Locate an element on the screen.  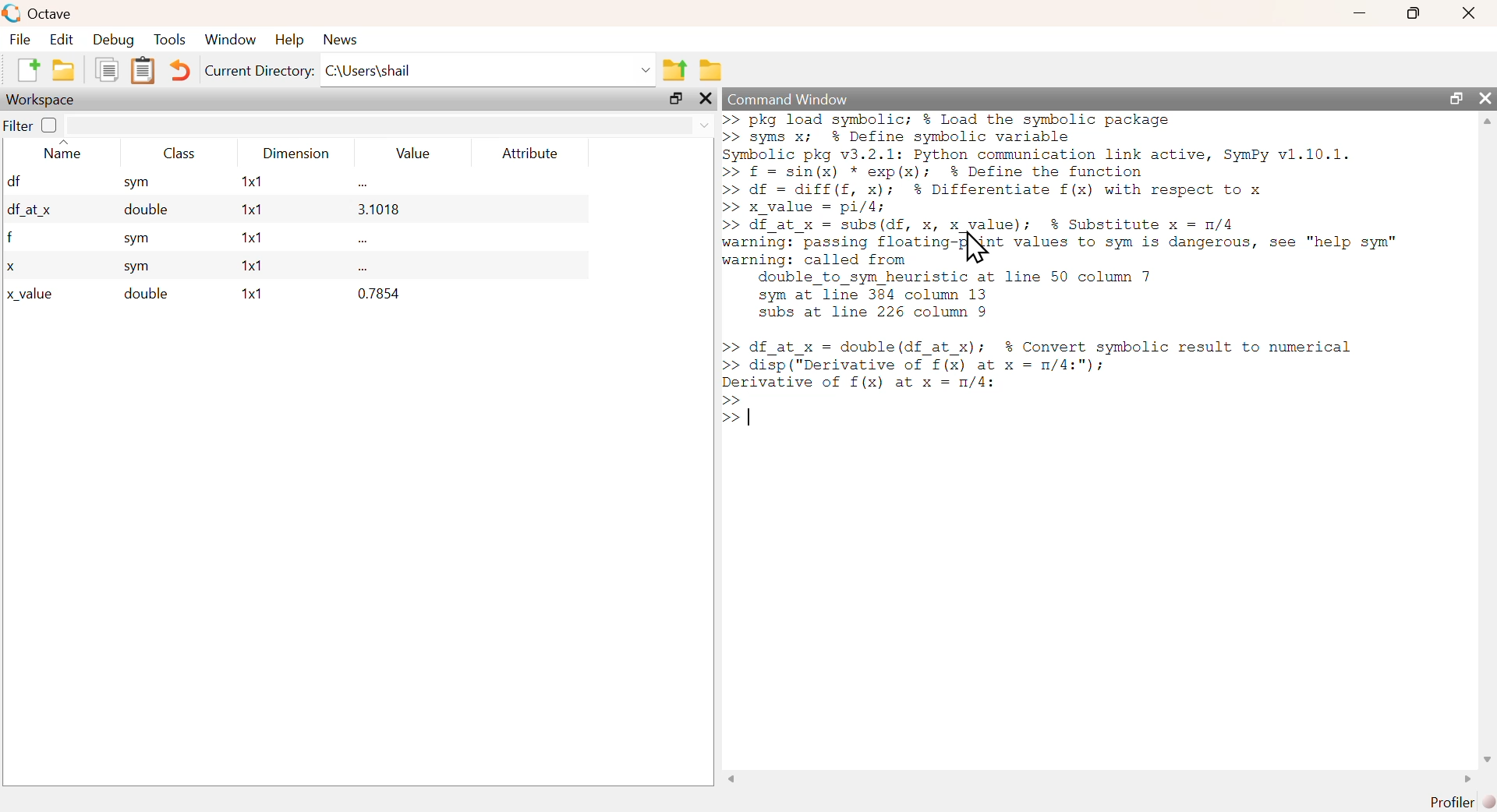
Debug is located at coordinates (112, 41).